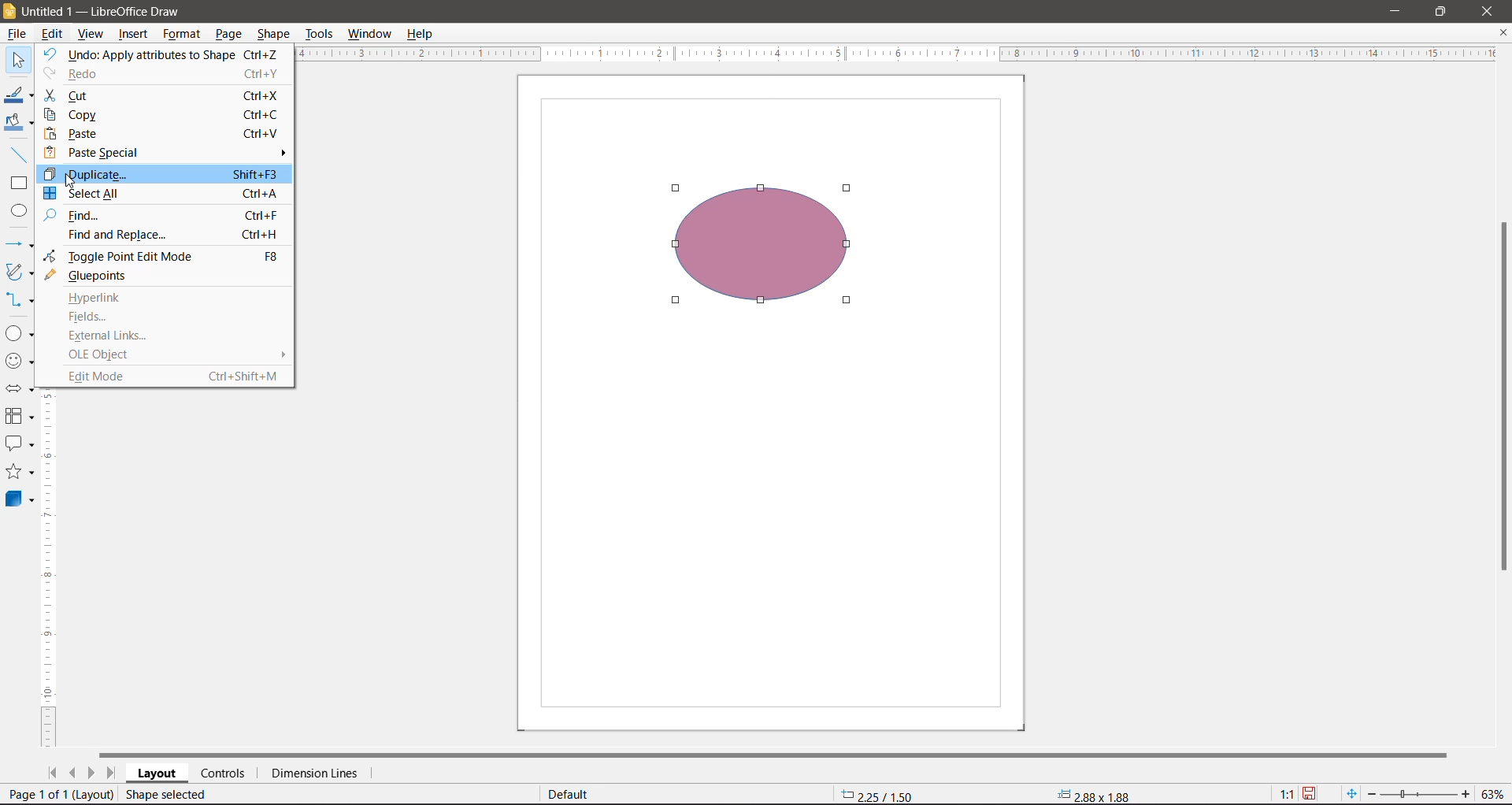 The height and width of the screenshot is (805, 1512). I want to click on Unsaved changes, so click(1310, 795).